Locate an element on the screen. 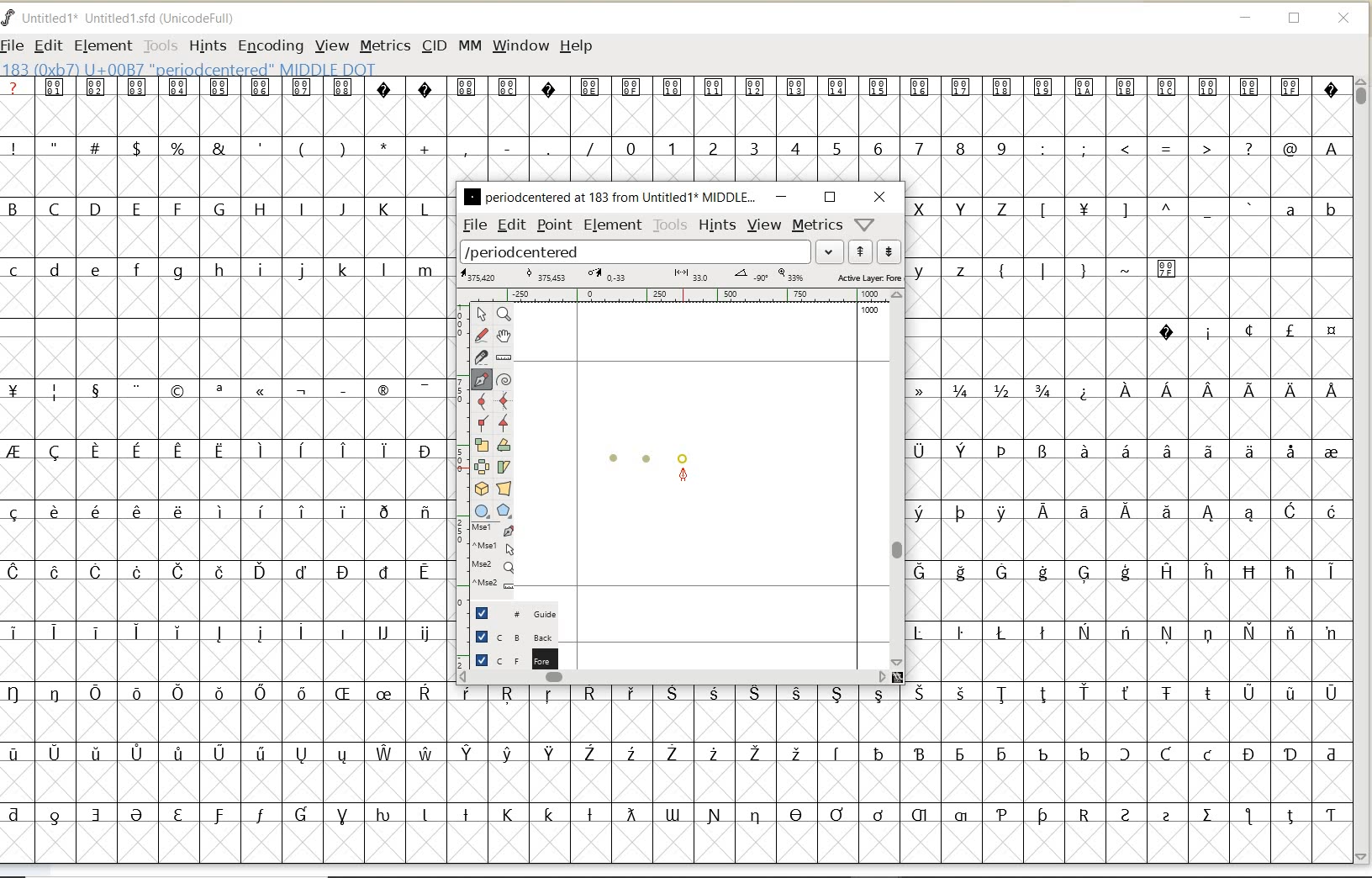  active layer is located at coordinates (679, 277).